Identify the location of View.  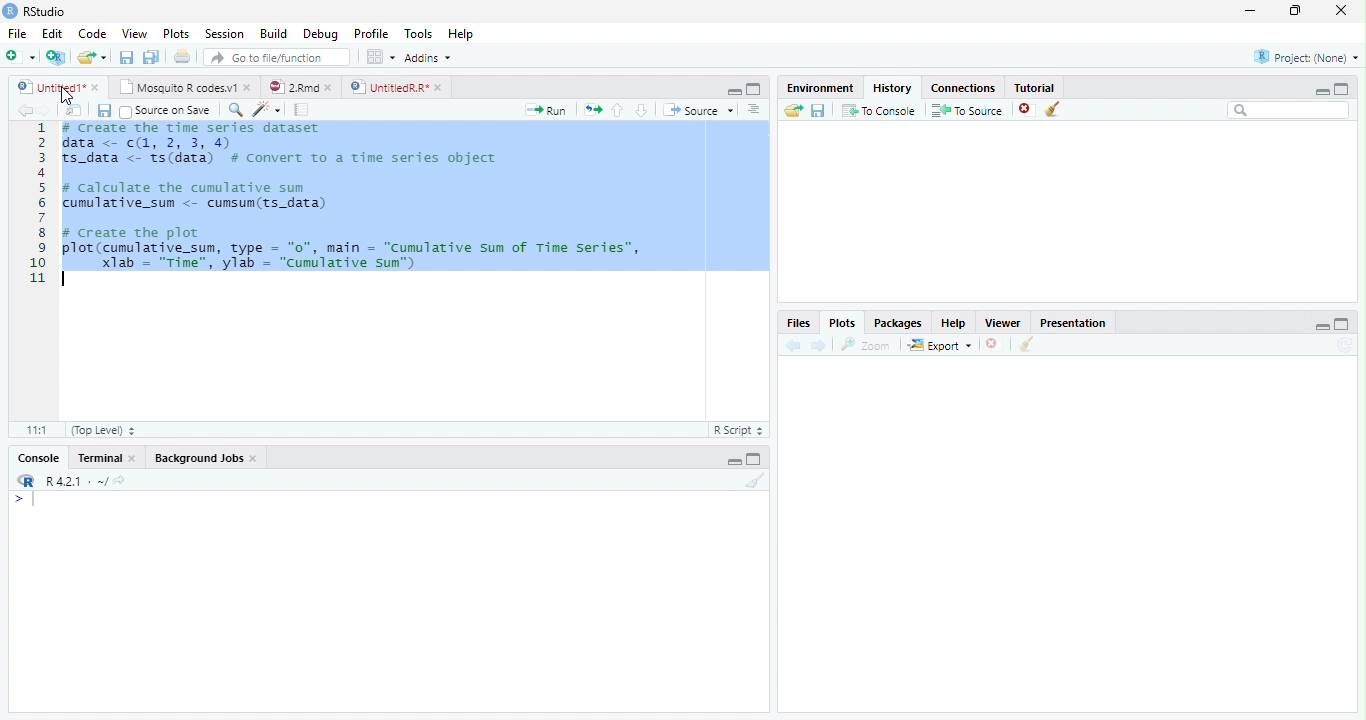
(134, 33).